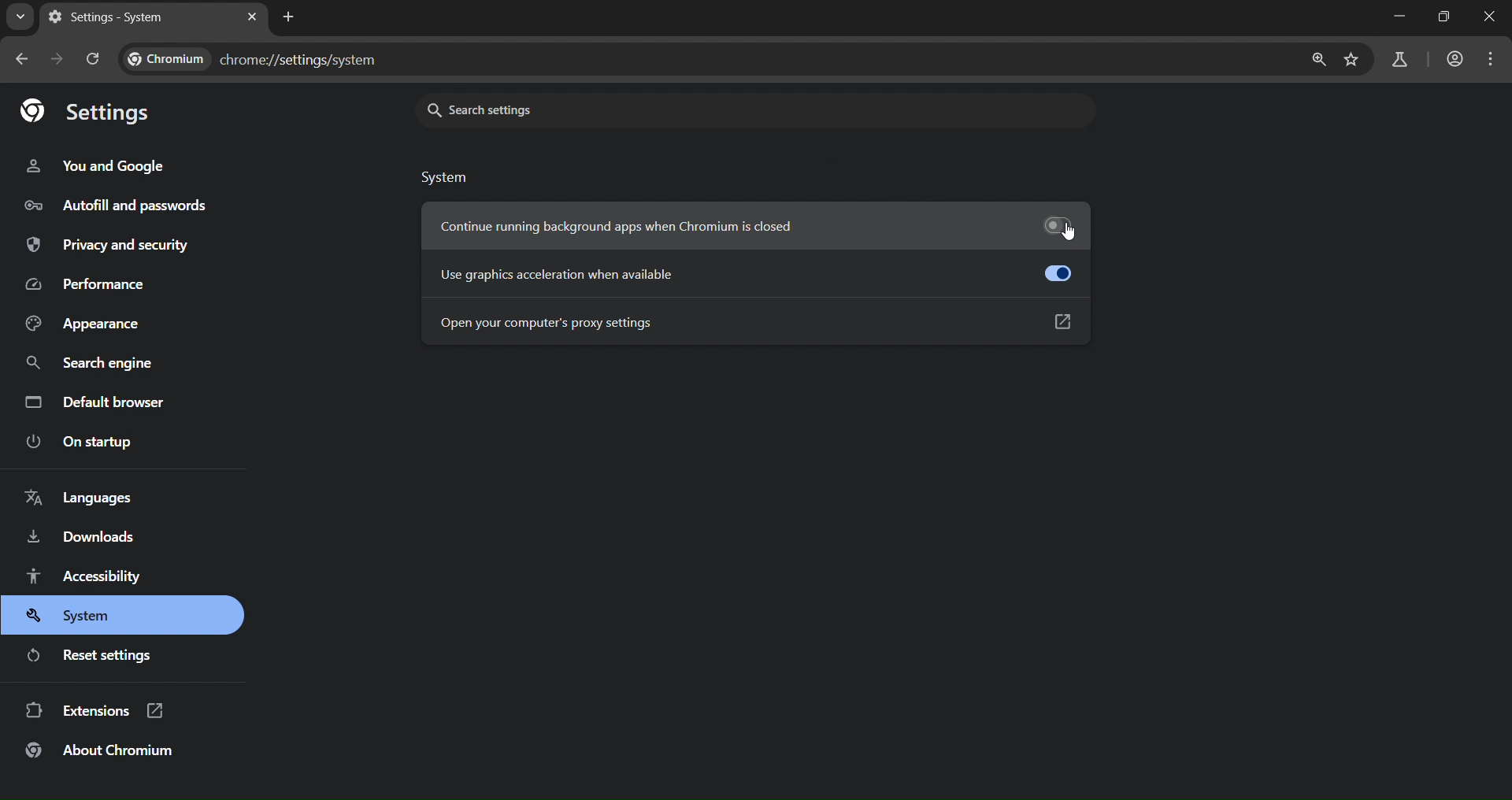  What do you see at coordinates (251, 17) in the screenshot?
I see `close tab` at bounding box center [251, 17].